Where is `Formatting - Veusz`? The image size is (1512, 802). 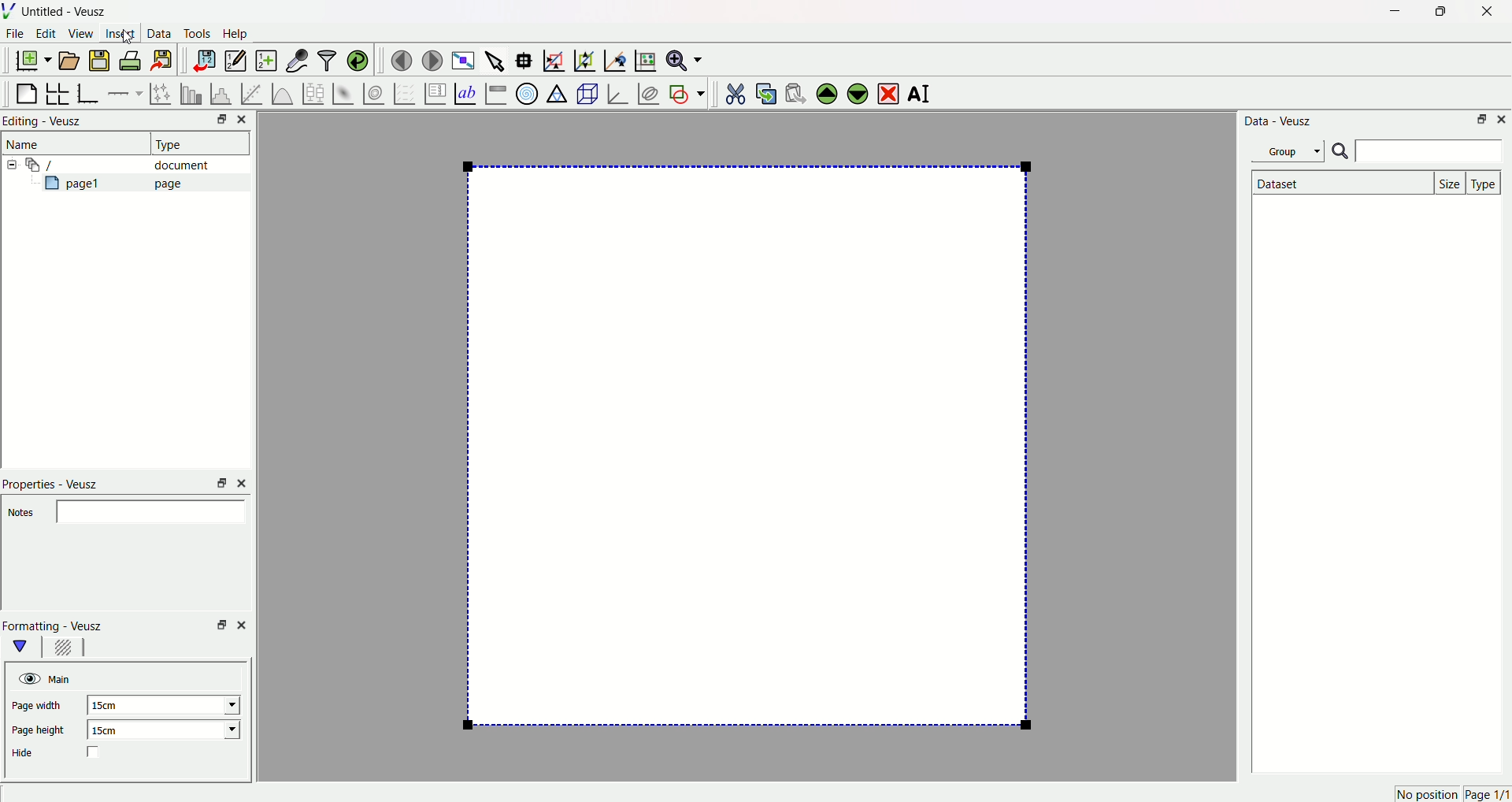 Formatting - Veusz is located at coordinates (61, 626).